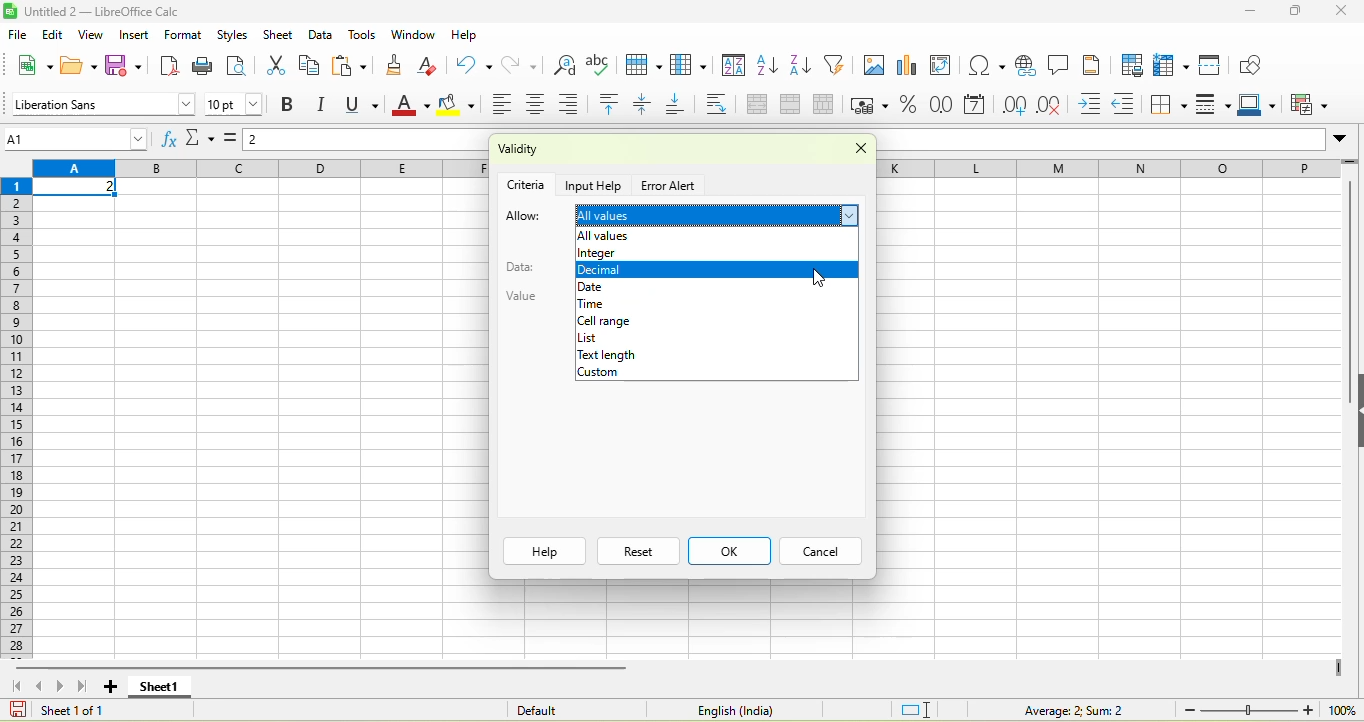 The width and height of the screenshot is (1364, 722). I want to click on add decimal, so click(1015, 105).